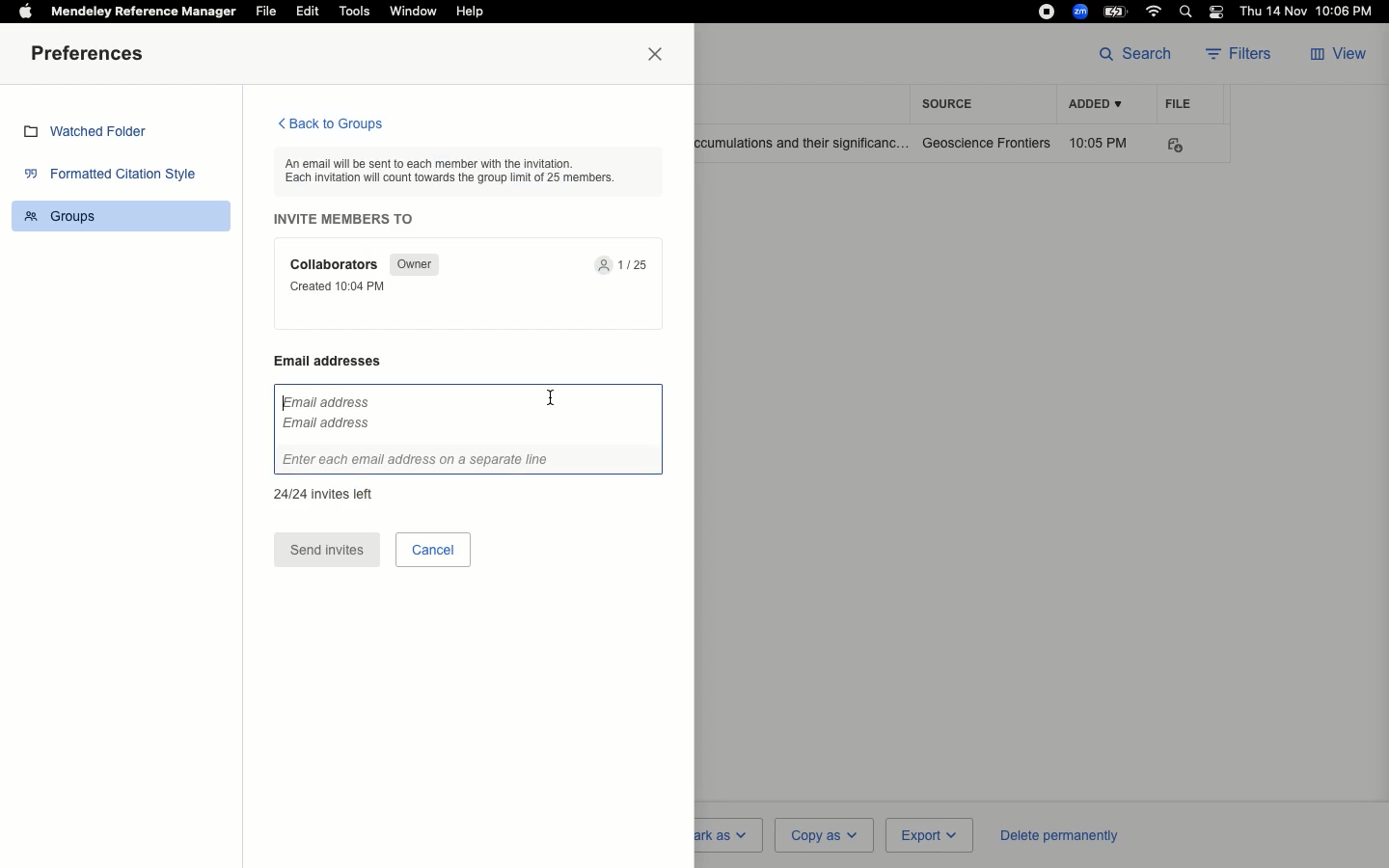  I want to click on Export, so click(927, 836).